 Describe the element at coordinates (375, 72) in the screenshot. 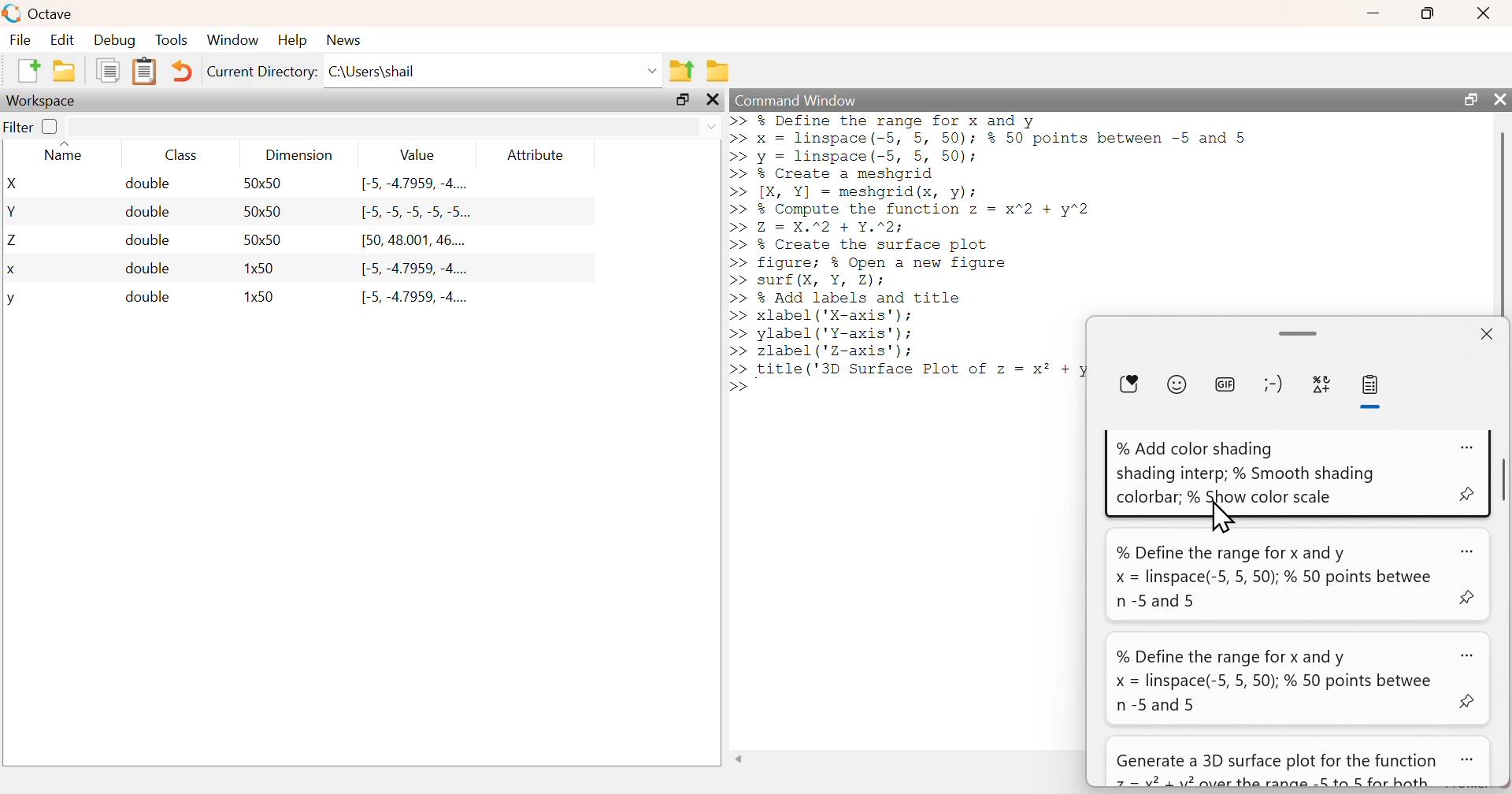

I see `C:\Users\shail` at that location.